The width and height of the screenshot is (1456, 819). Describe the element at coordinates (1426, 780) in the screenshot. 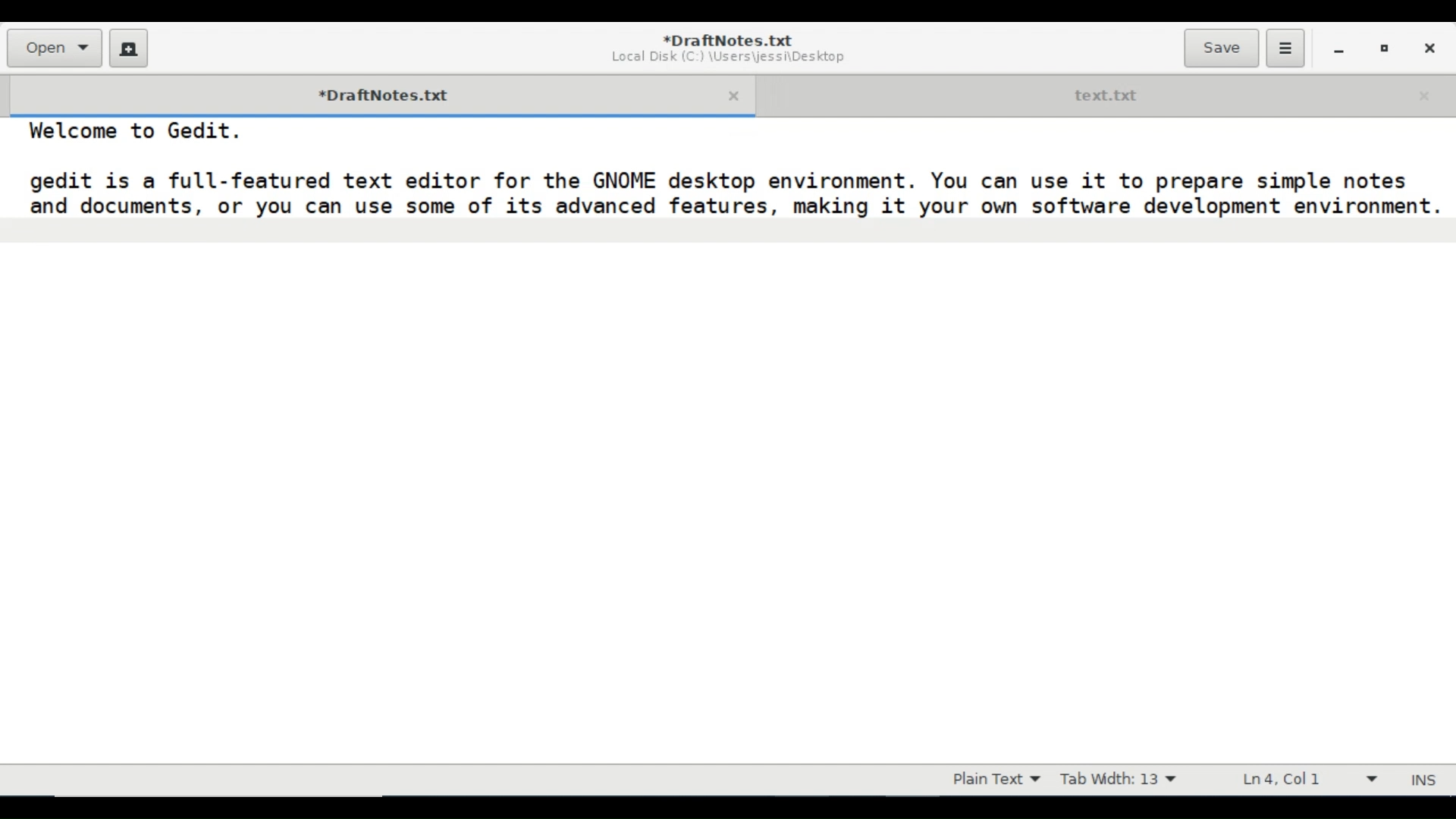

I see `Insert Mode` at that location.